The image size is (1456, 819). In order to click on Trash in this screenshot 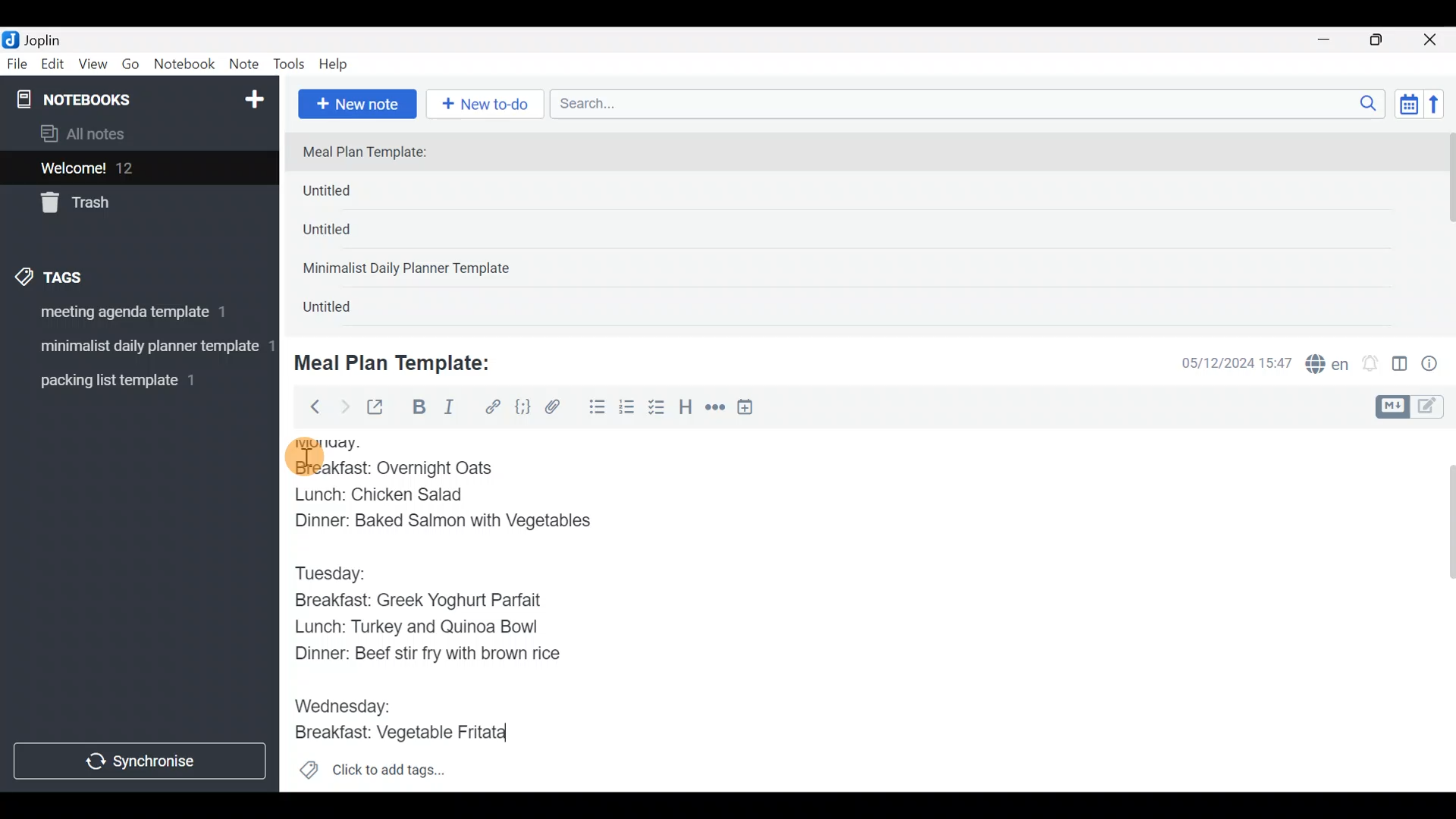, I will do `click(130, 204)`.